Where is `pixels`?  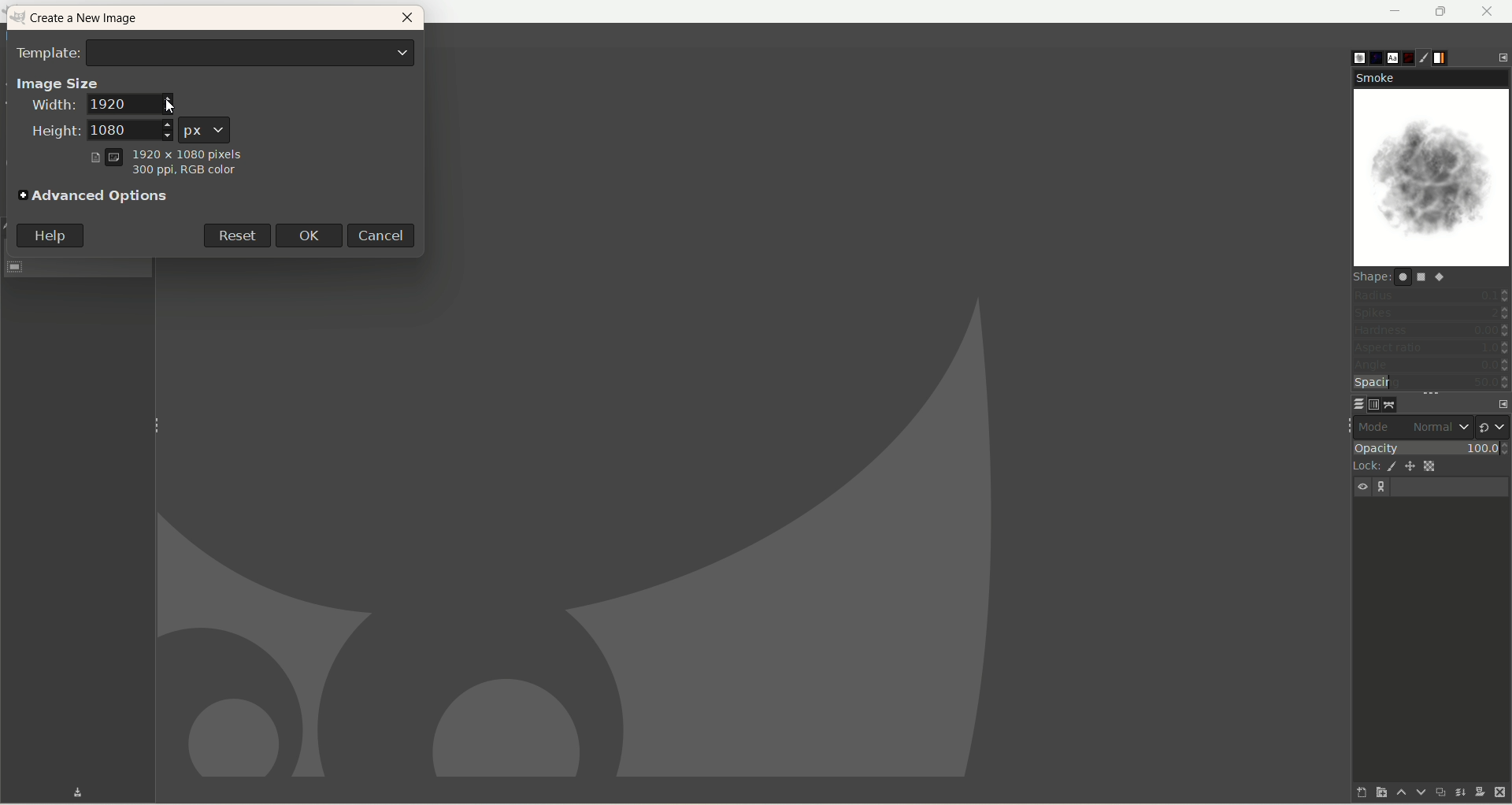
pixels is located at coordinates (166, 152).